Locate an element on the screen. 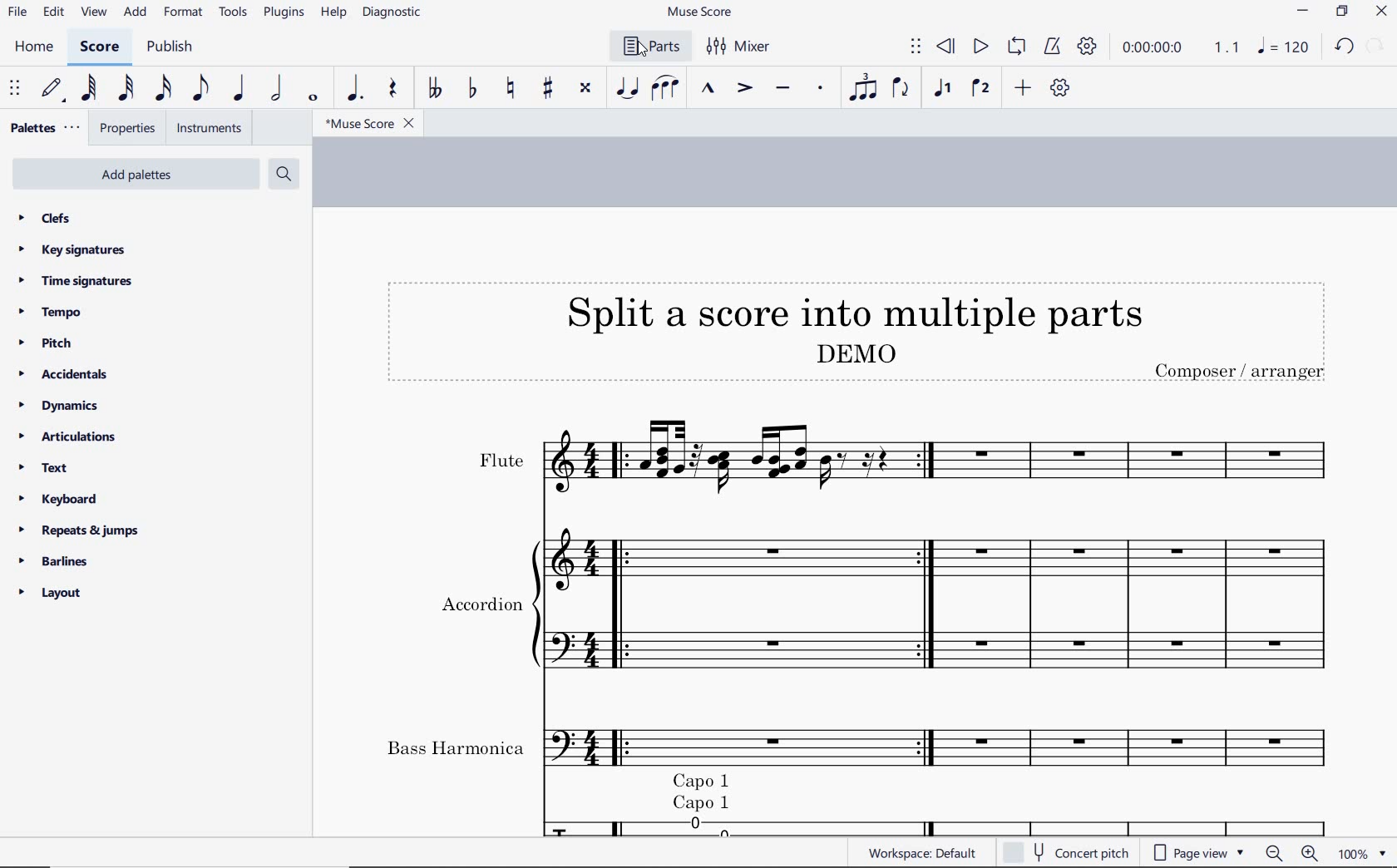 The width and height of the screenshot is (1397, 868). CLOSE is located at coordinates (1380, 12).